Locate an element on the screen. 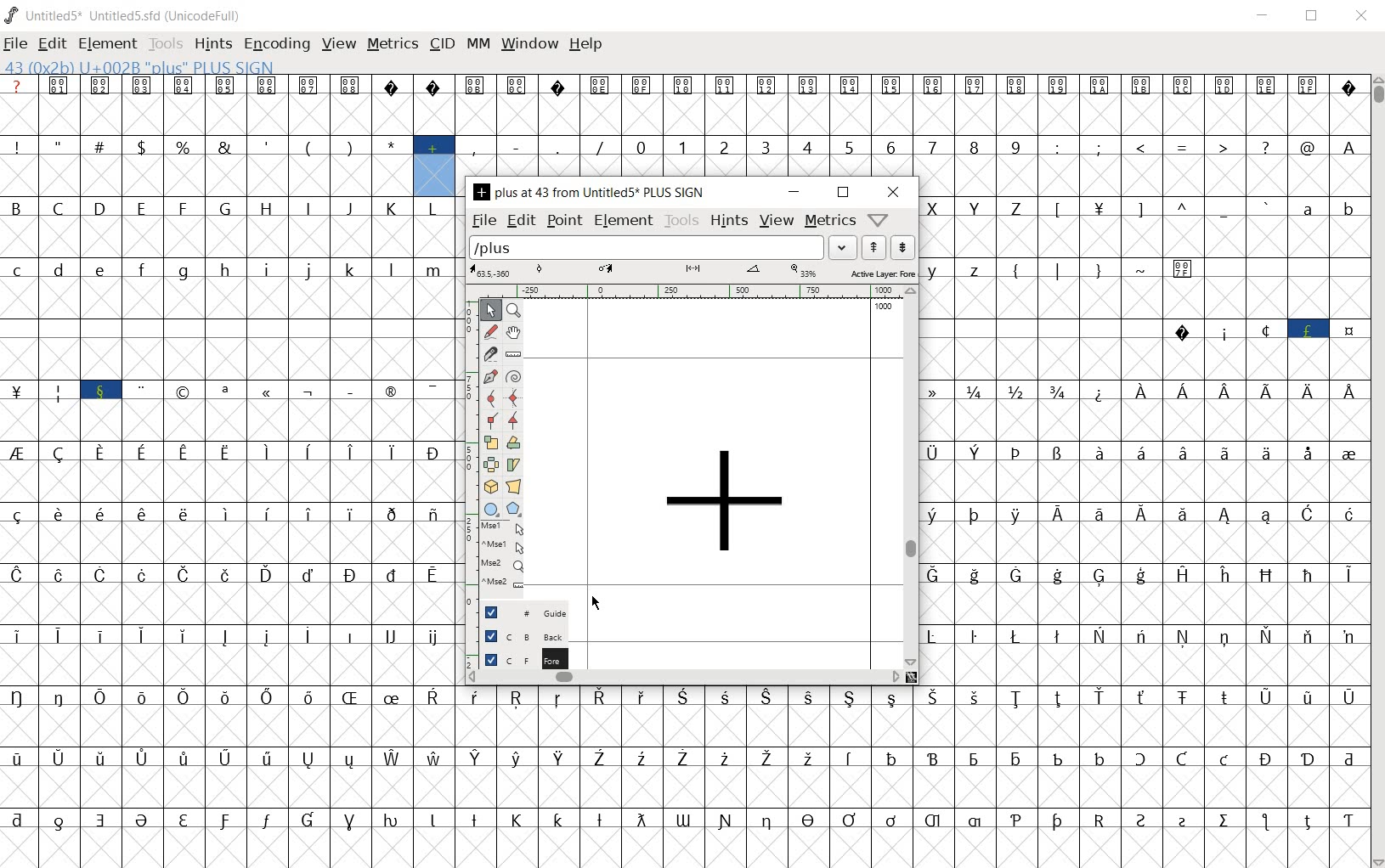 This screenshot has width=1385, height=868. cursor is located at coordinates (597, 604).